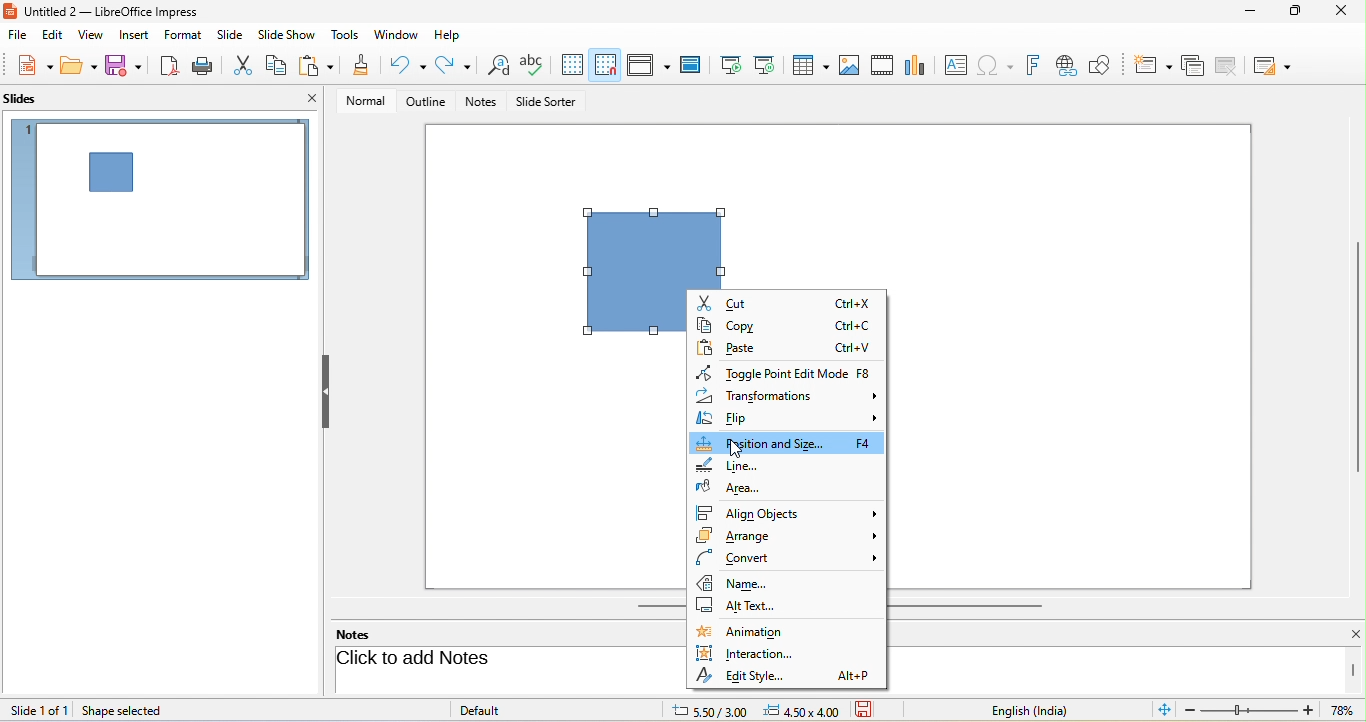 Image resolution: width=1366 pixels, height=722 pixels. What do you see at coordinates (739, 607) in the screenshot?
I see `alt text` at bounding box center [739, 607].